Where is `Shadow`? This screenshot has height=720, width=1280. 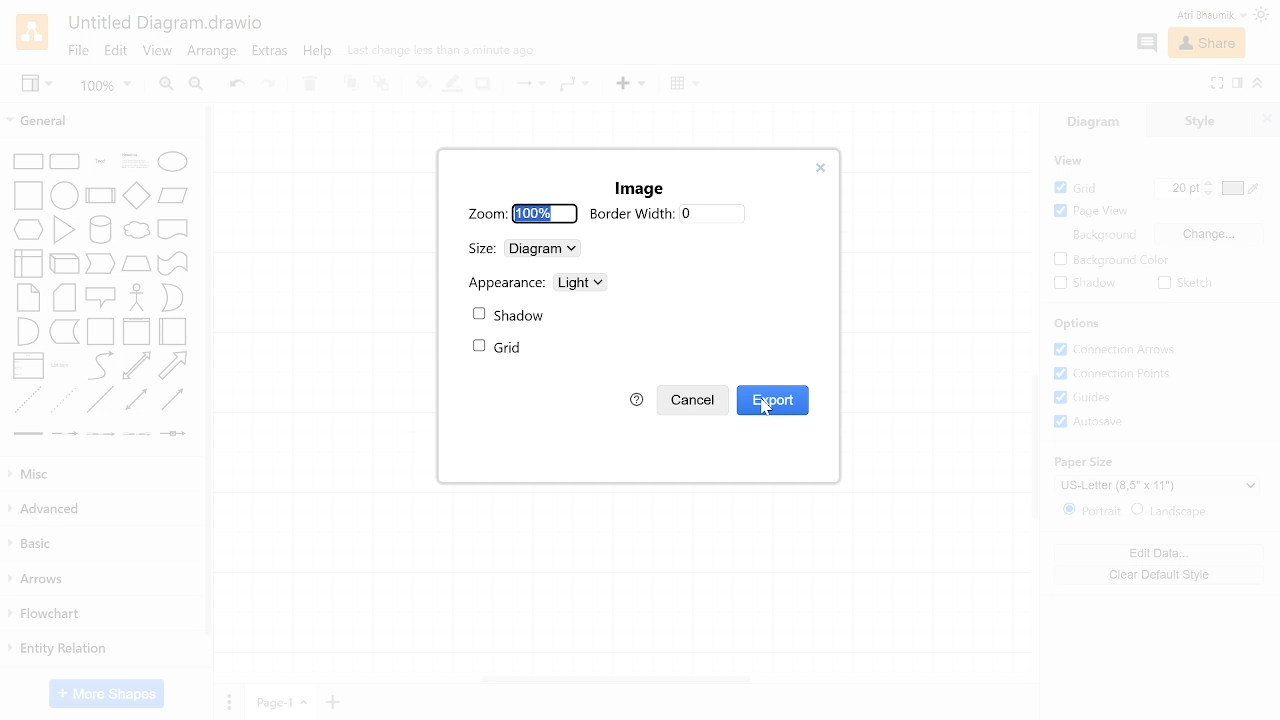
Shadow is located at coordinates (507, 315).